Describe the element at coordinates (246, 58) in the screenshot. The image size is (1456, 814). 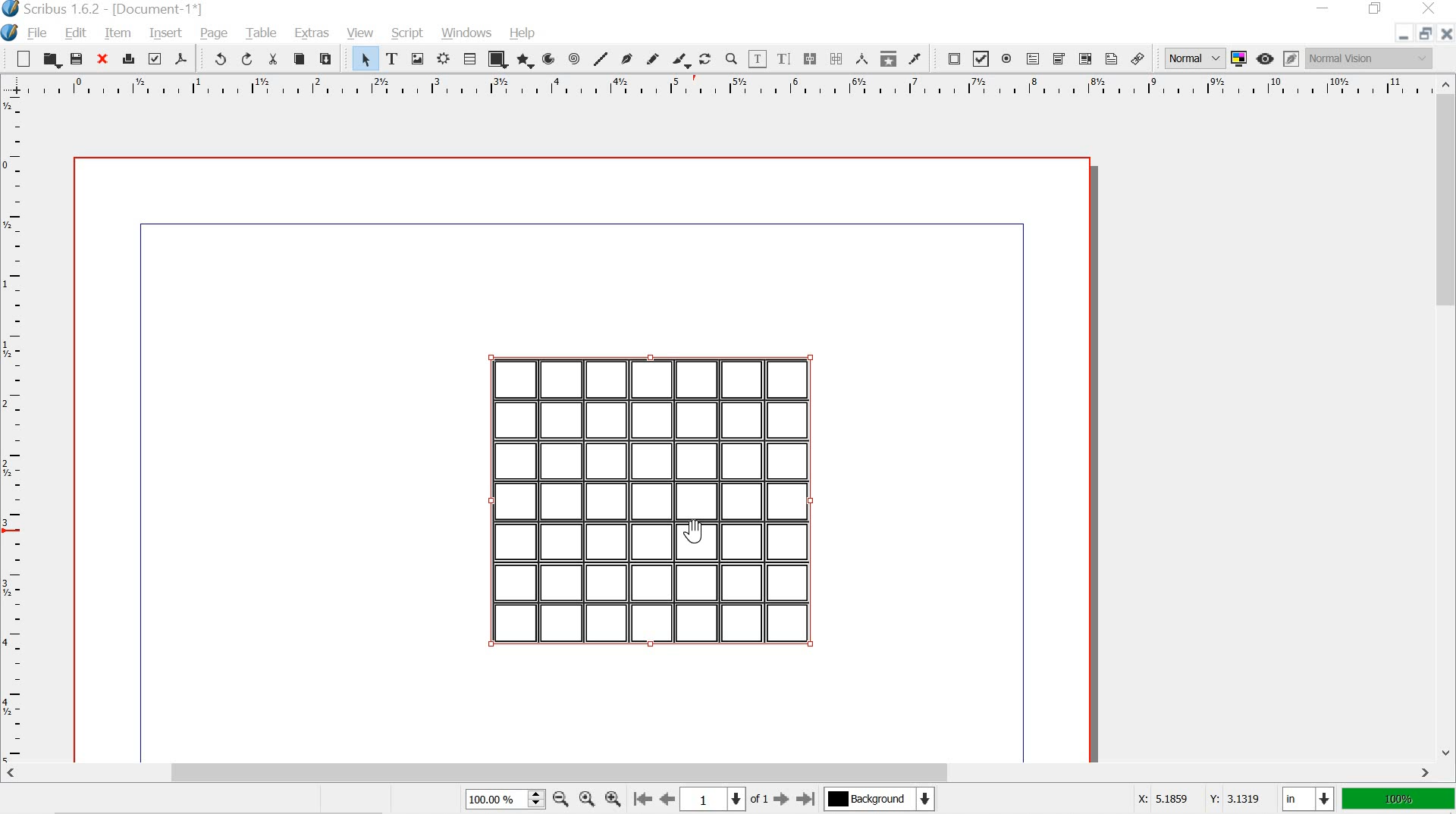
I see `redo` at that location.